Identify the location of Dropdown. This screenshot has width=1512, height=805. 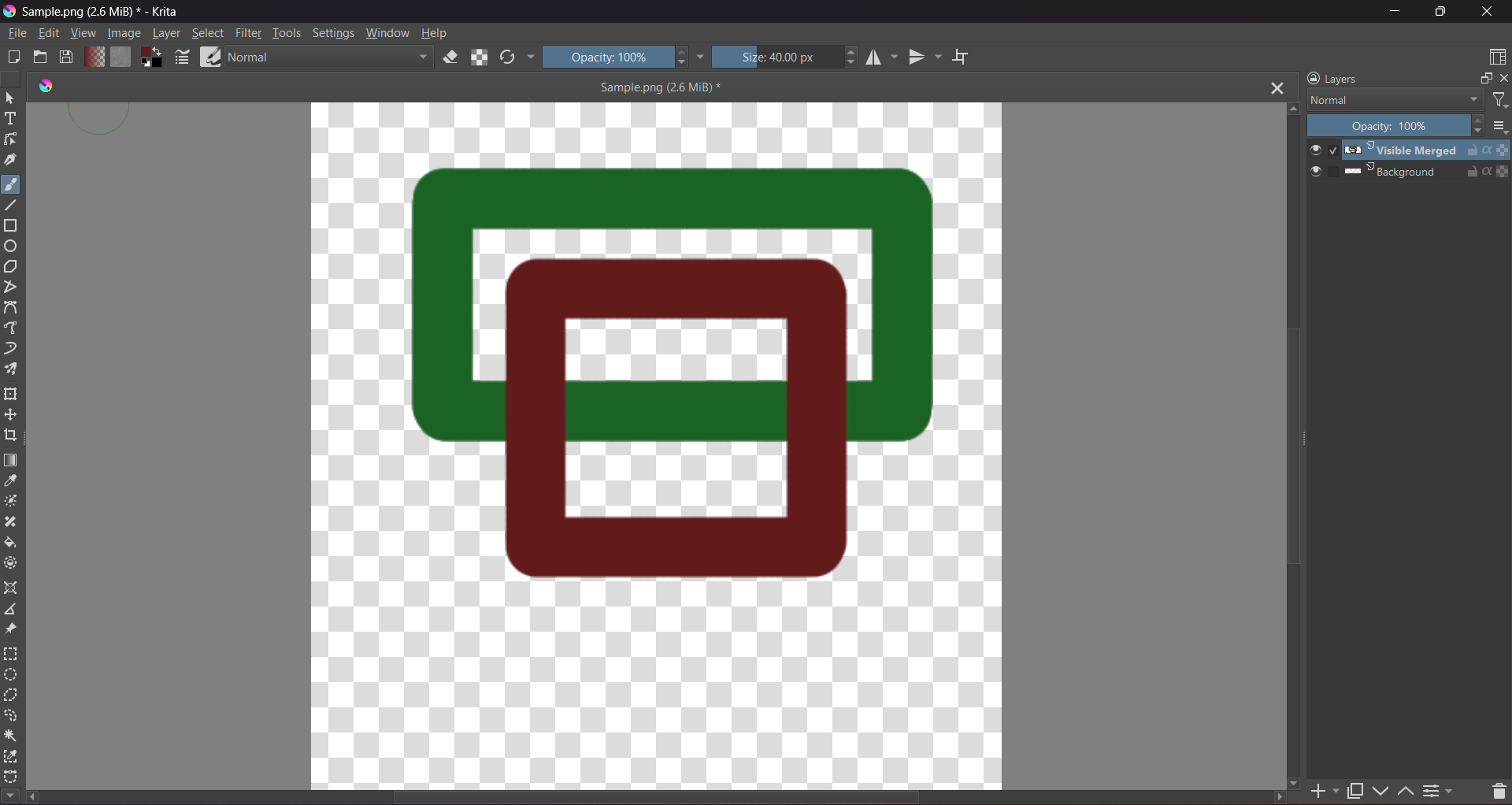
(701, 56).